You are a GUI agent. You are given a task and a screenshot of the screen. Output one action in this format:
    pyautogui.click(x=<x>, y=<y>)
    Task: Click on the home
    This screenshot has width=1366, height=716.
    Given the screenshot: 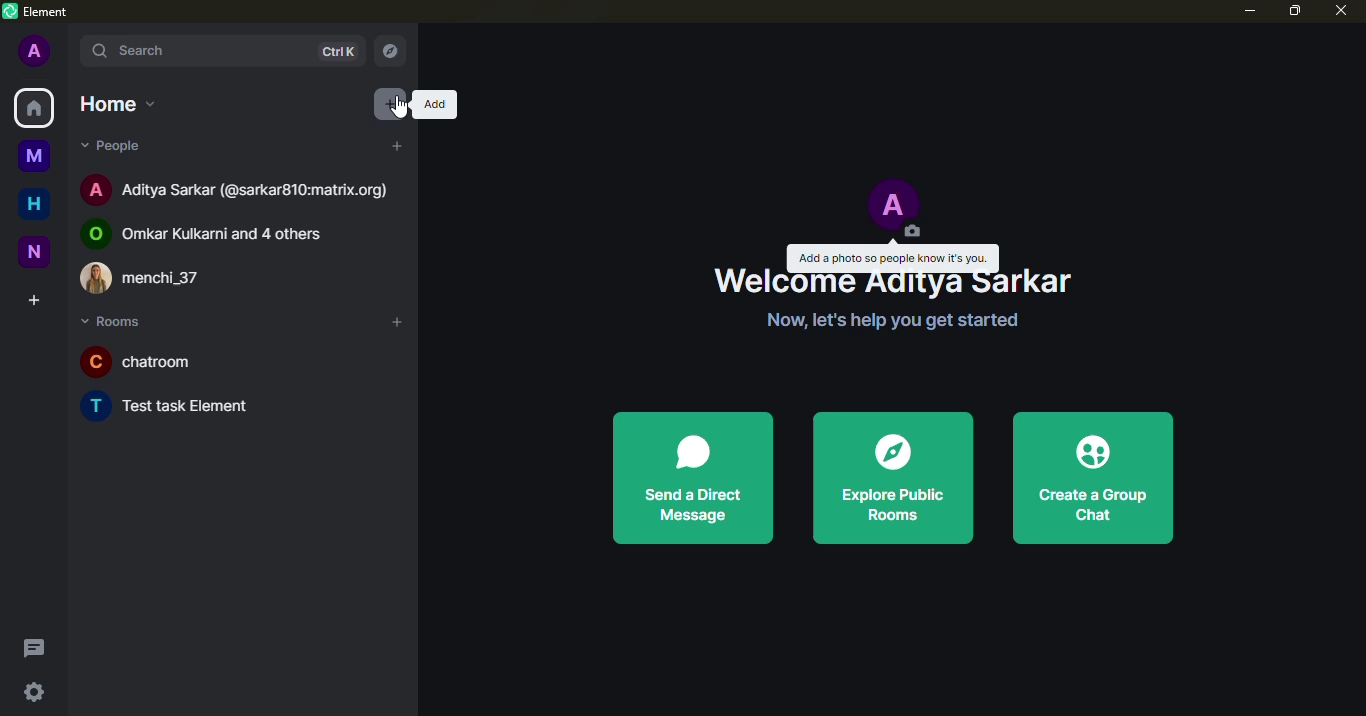 What is the action you would take?
    pyautogui.click(x=34, y=107)
    